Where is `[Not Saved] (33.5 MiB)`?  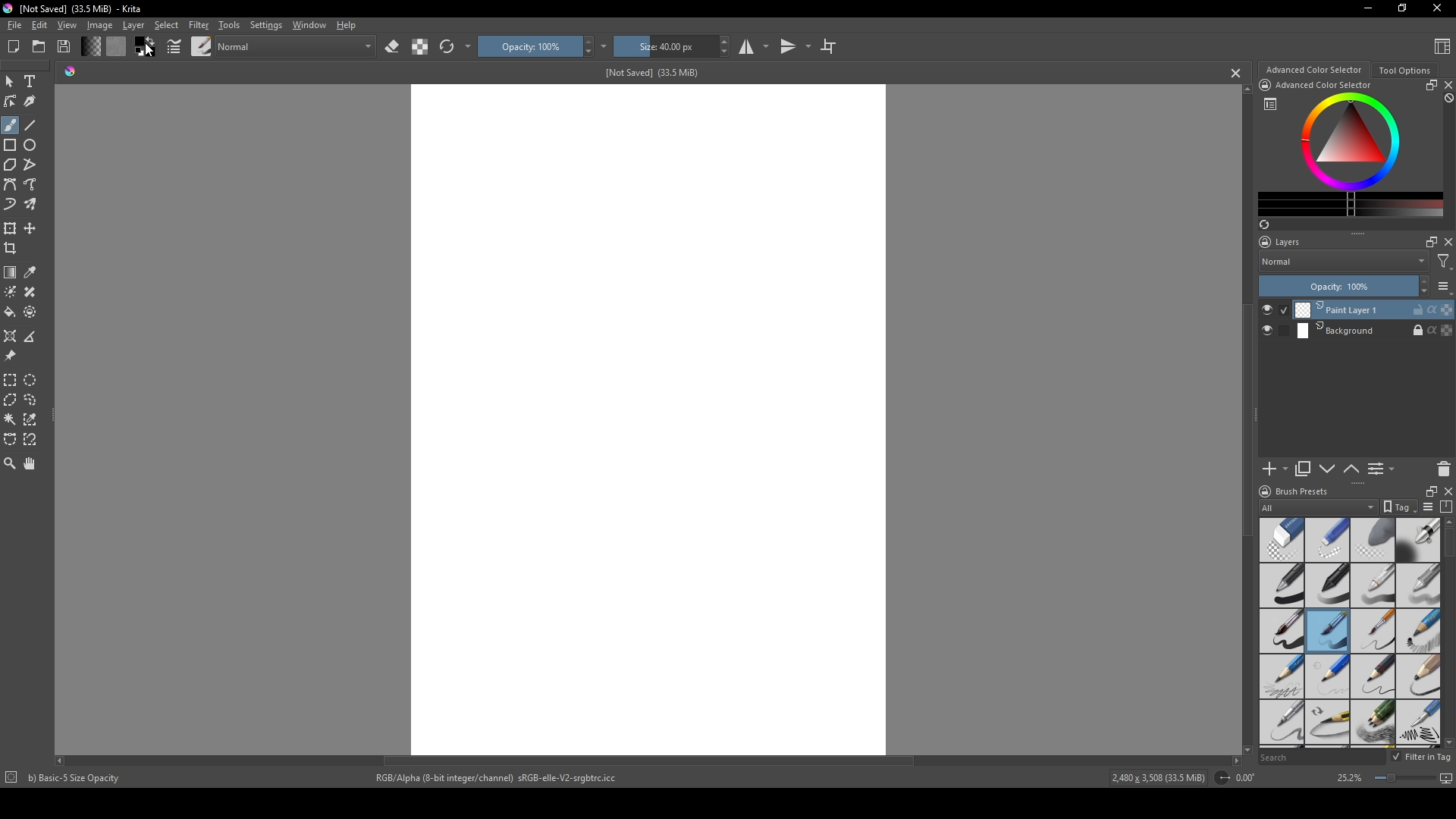
[Not Saved] (33.5 MiB) is located at coordinates (650, 73).